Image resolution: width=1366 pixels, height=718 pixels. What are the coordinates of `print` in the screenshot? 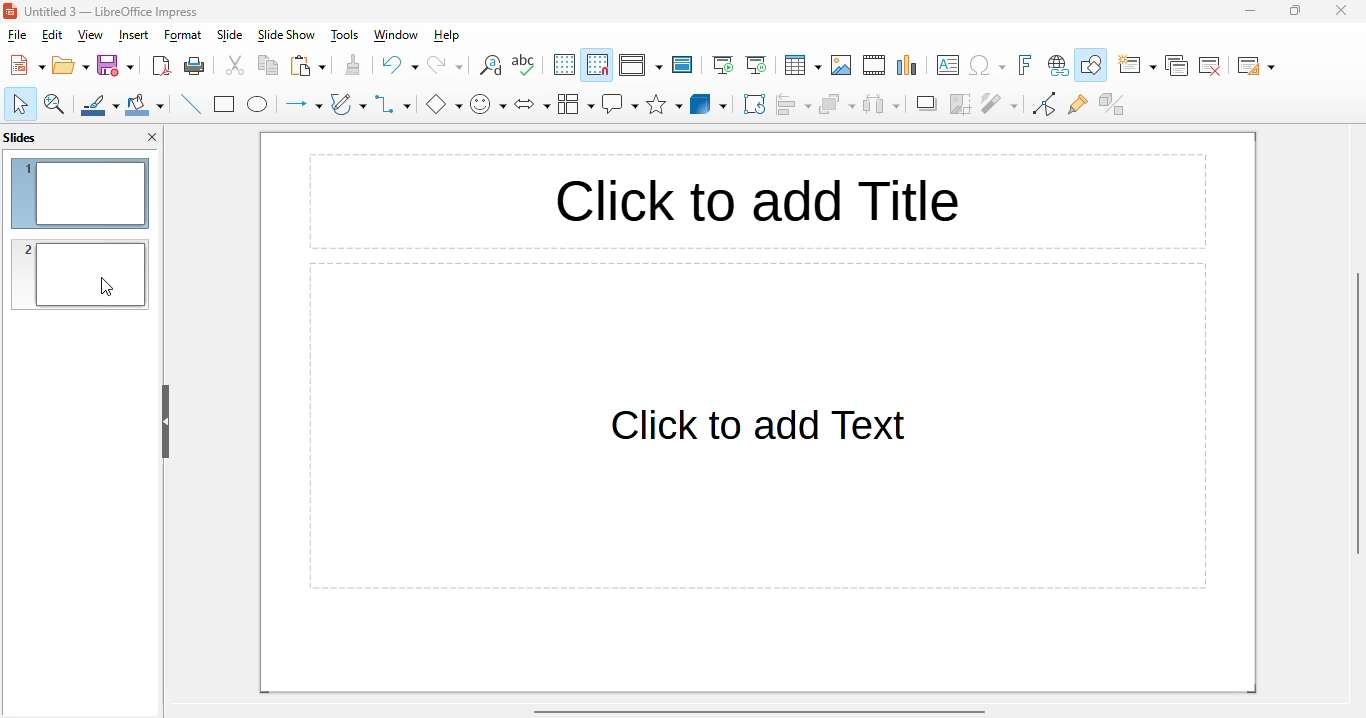 It's located at (196, 67).